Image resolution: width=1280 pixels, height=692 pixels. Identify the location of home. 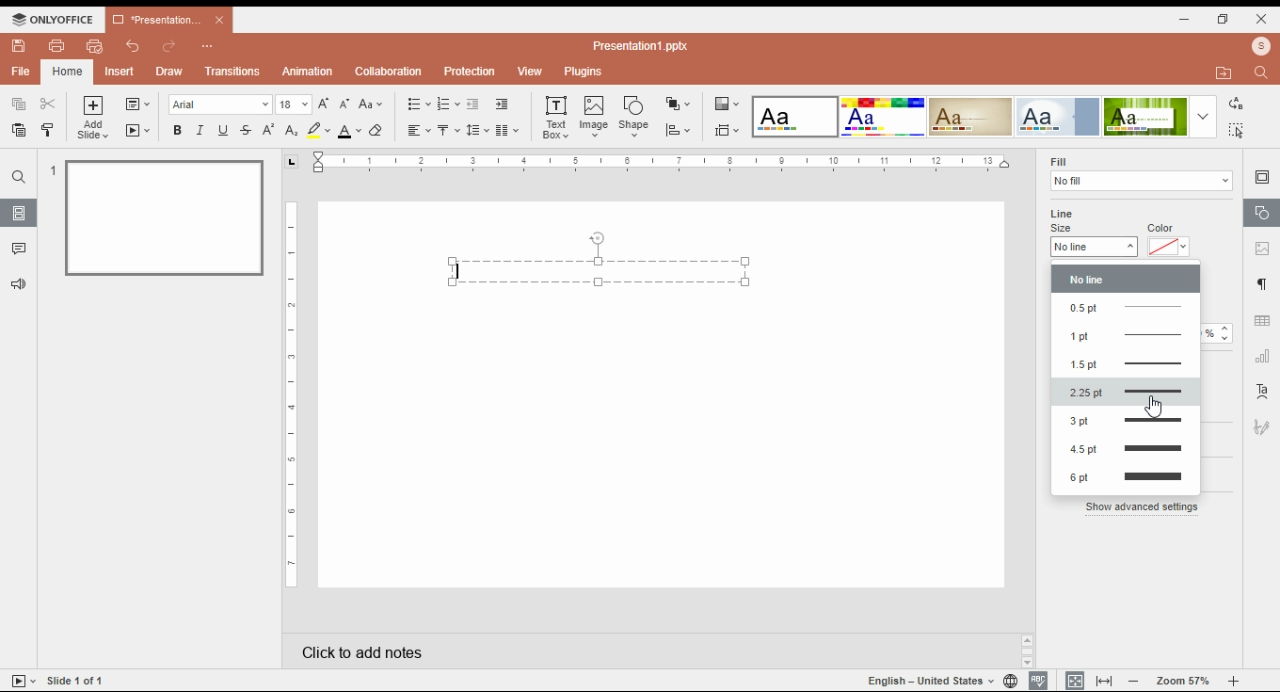
(66, 71).